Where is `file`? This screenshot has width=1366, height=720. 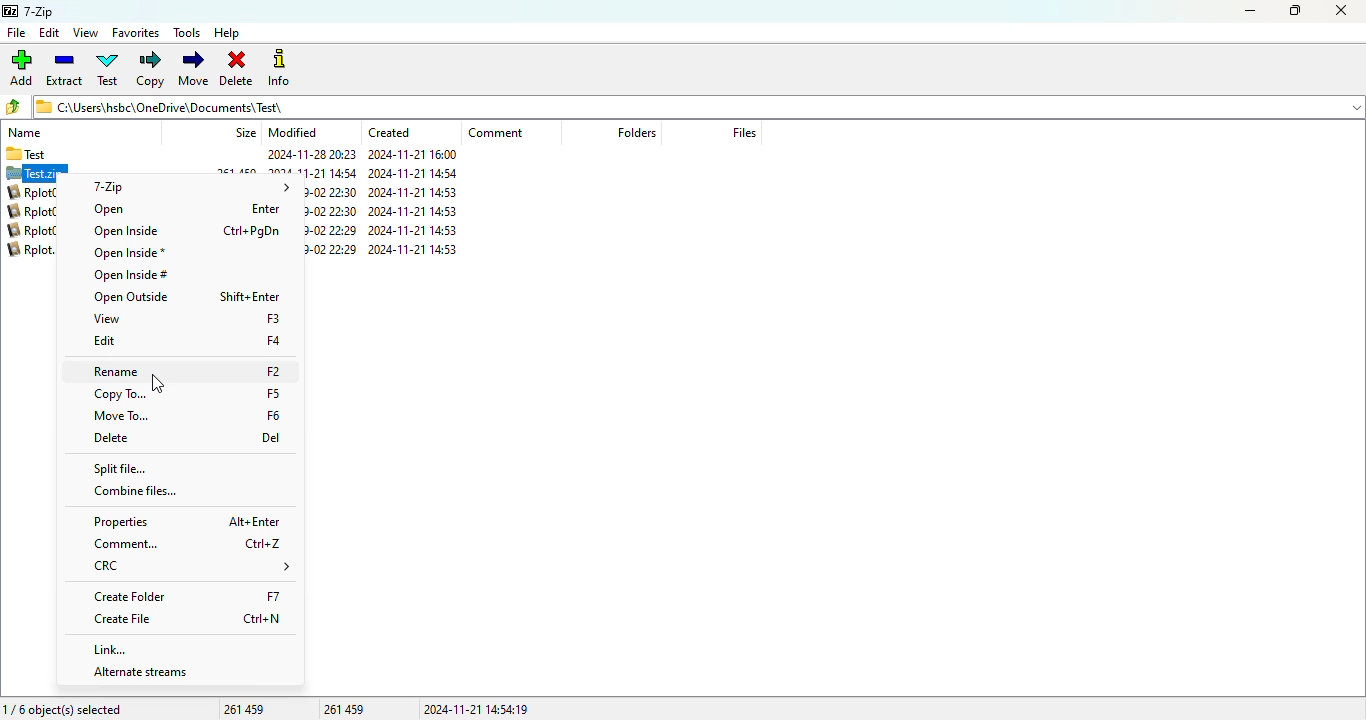
file is located at coordinates (15, 33).